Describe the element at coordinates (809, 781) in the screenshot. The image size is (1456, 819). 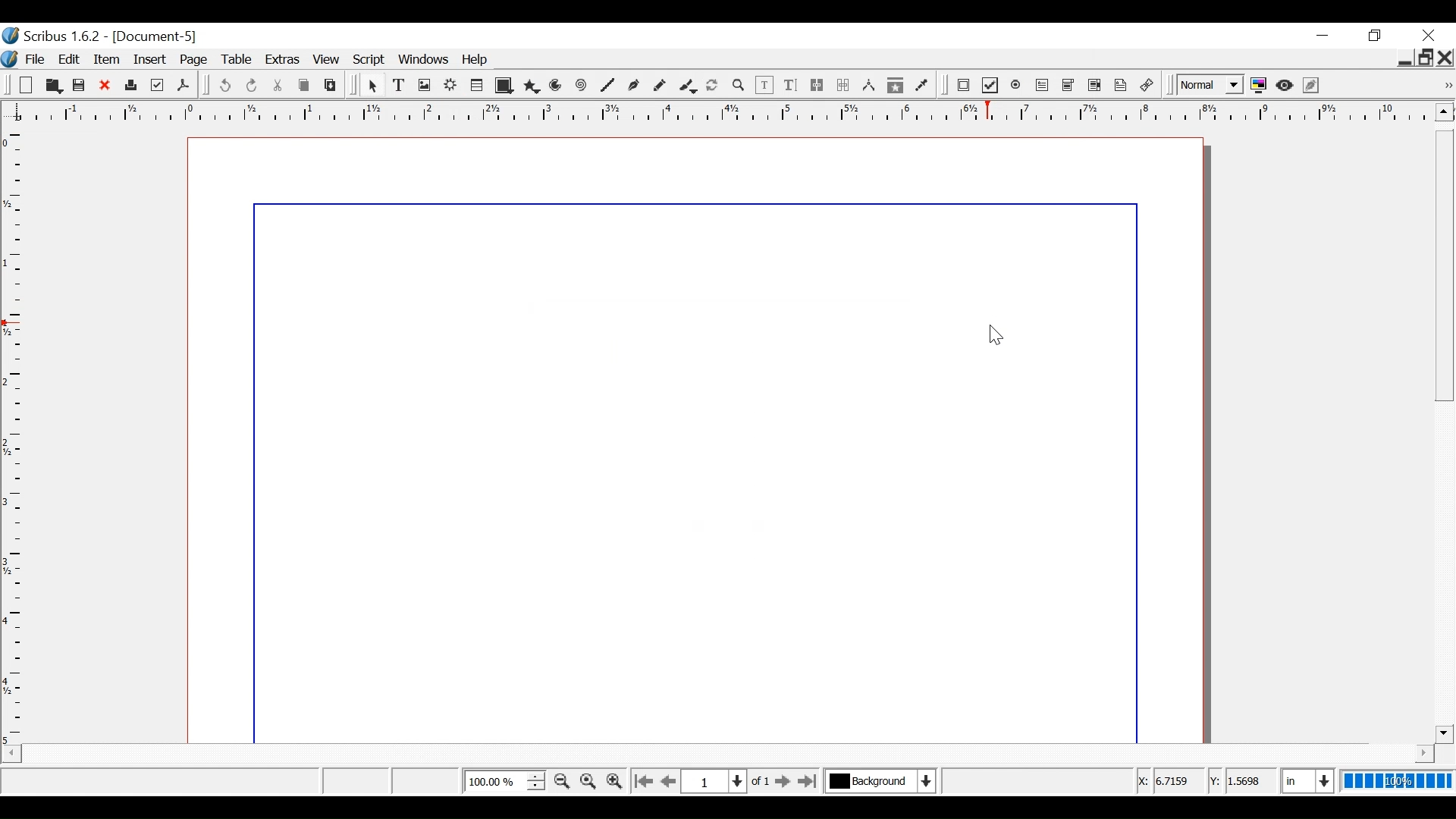
I see `Go to the last page` at that location.